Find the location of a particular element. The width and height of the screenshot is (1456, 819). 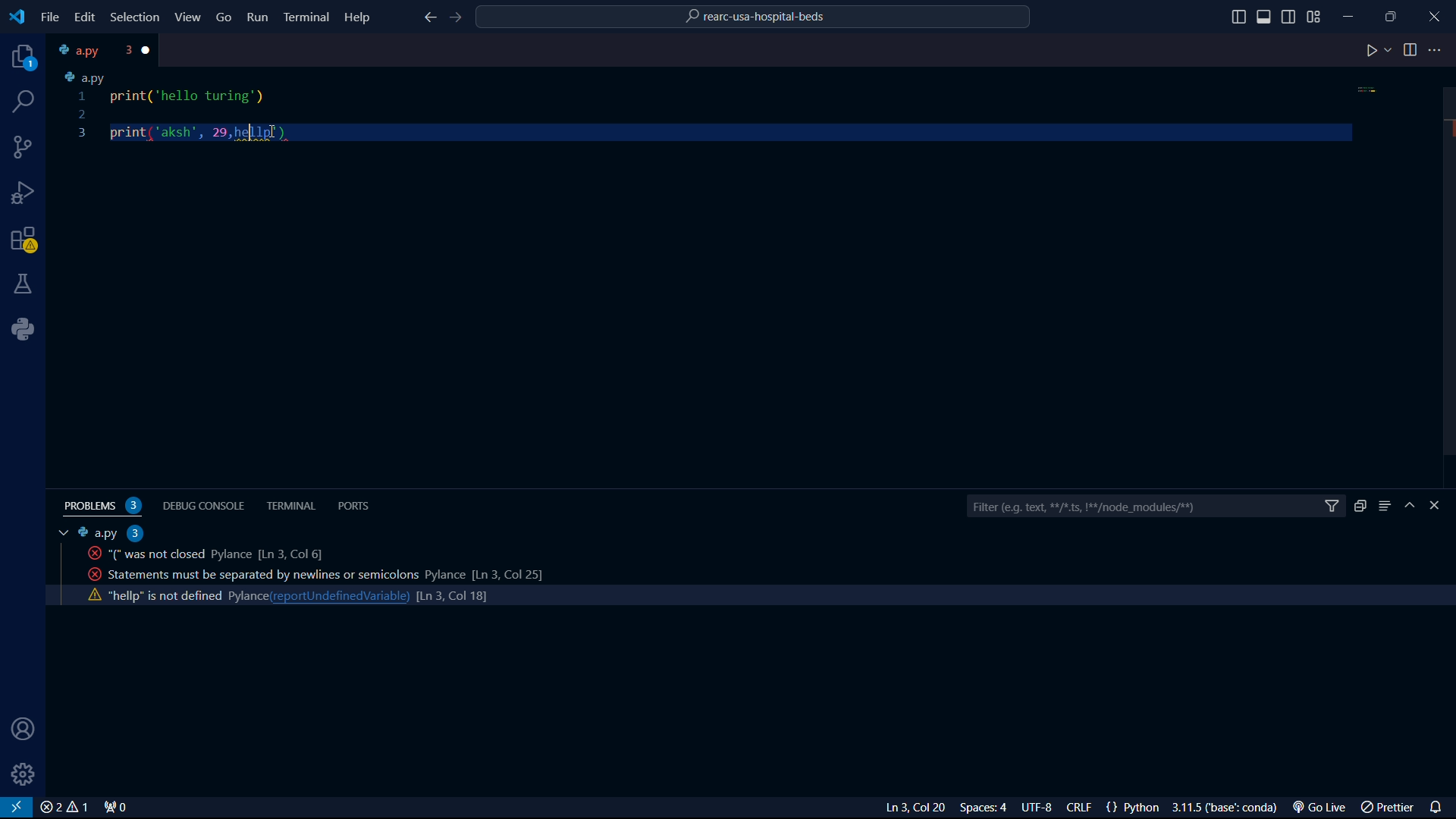

problems 2 is located at coordinates (106, 506).